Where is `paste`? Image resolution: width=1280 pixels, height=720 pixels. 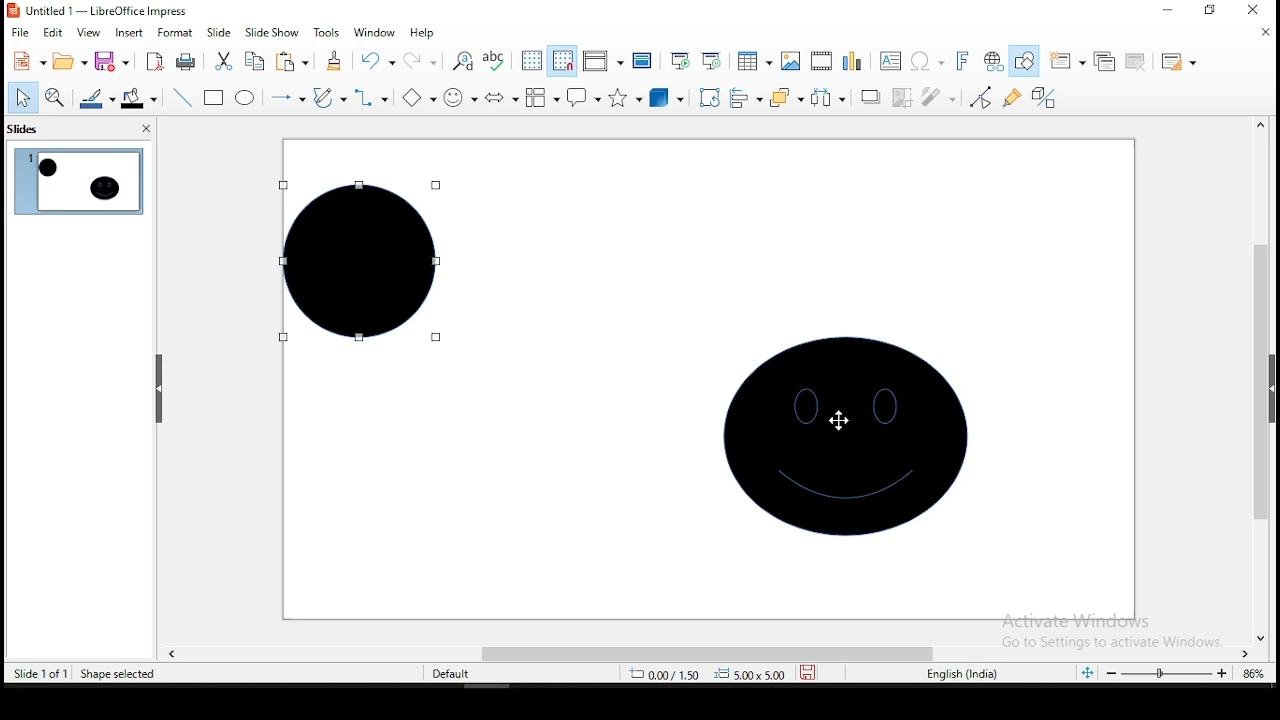 paste is located at coordinates (292, 63).